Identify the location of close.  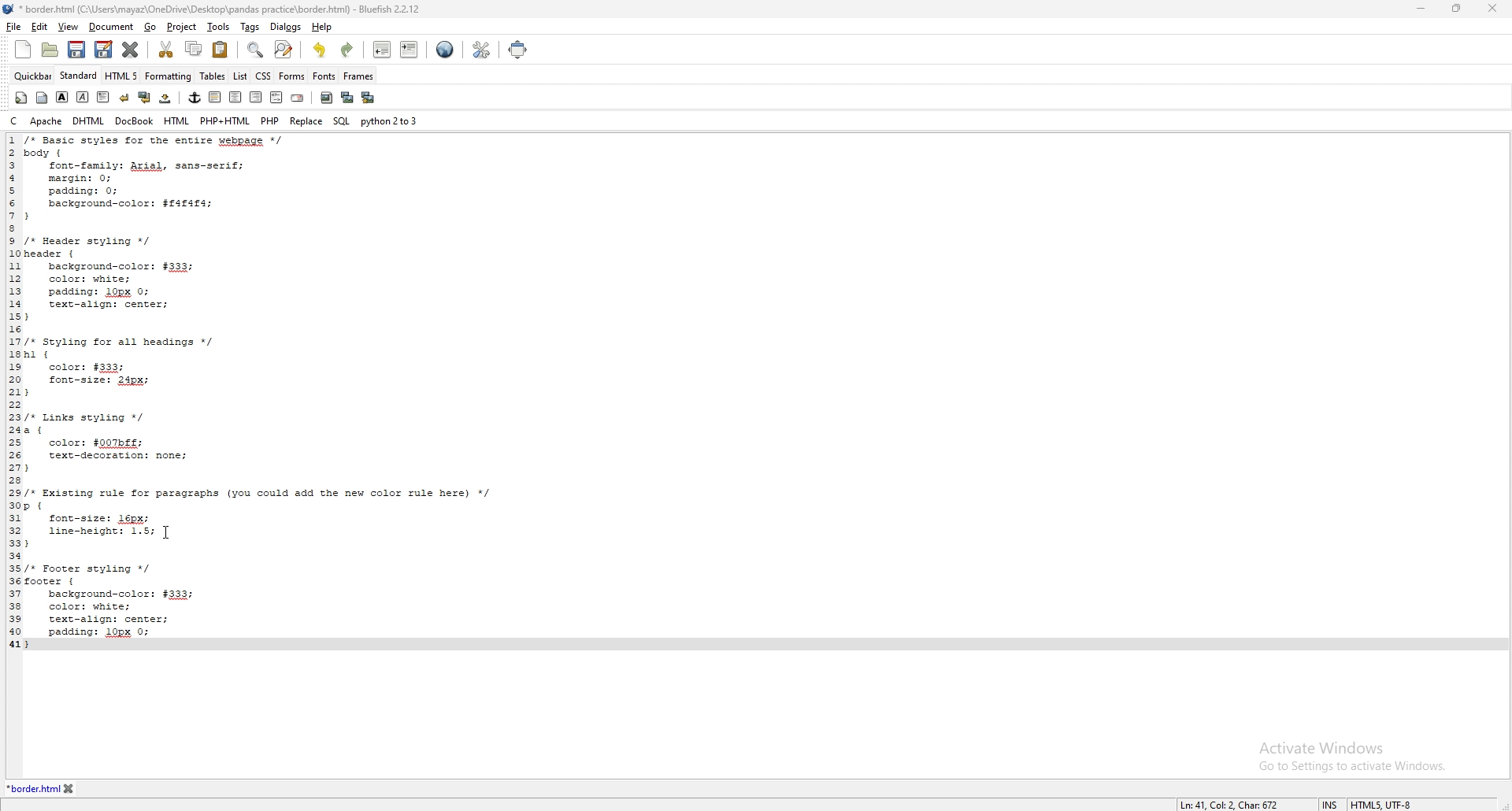
(1495, 9).